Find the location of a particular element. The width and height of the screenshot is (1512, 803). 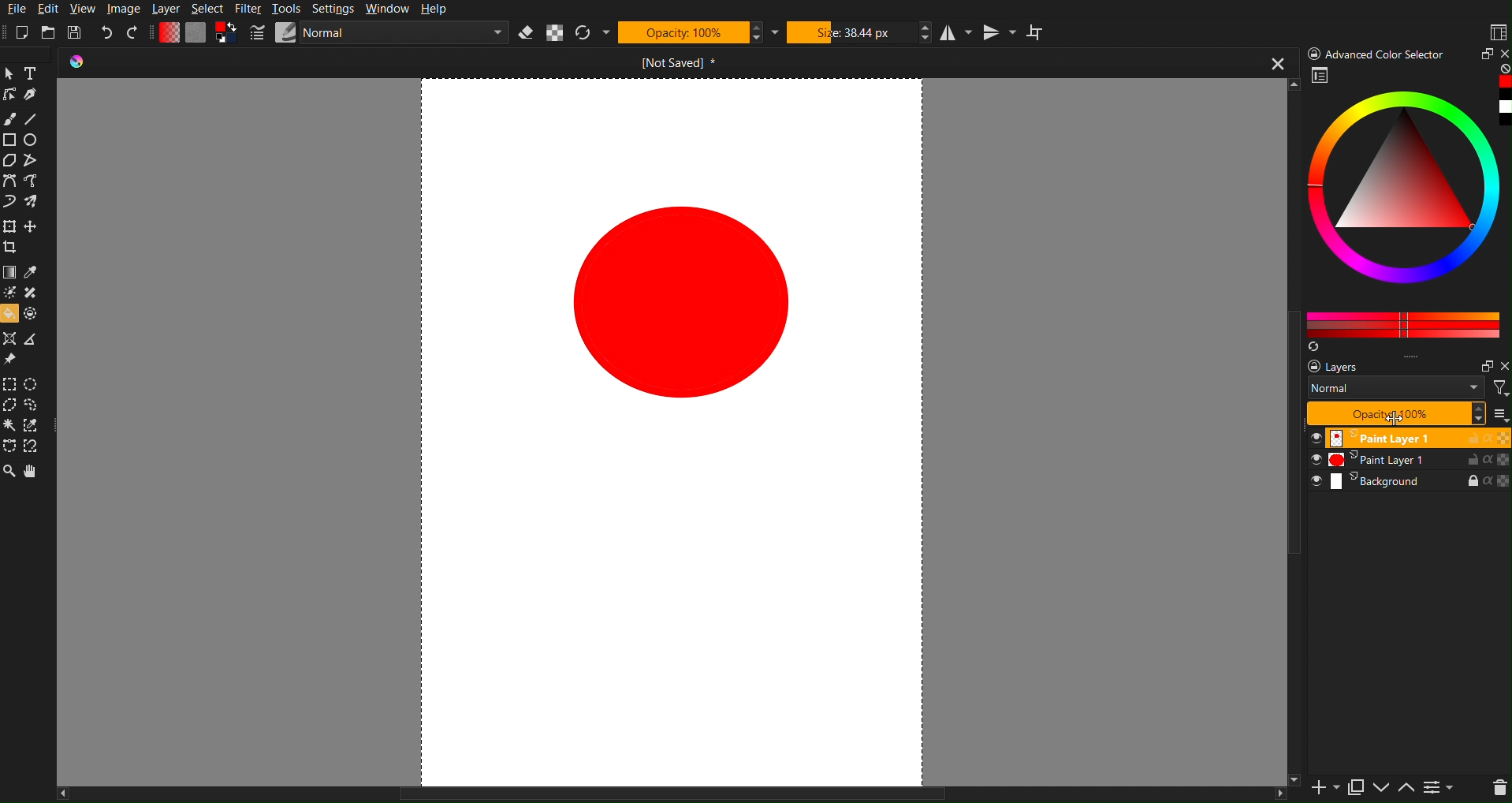

Close  is located at coordinates (1503, 368).